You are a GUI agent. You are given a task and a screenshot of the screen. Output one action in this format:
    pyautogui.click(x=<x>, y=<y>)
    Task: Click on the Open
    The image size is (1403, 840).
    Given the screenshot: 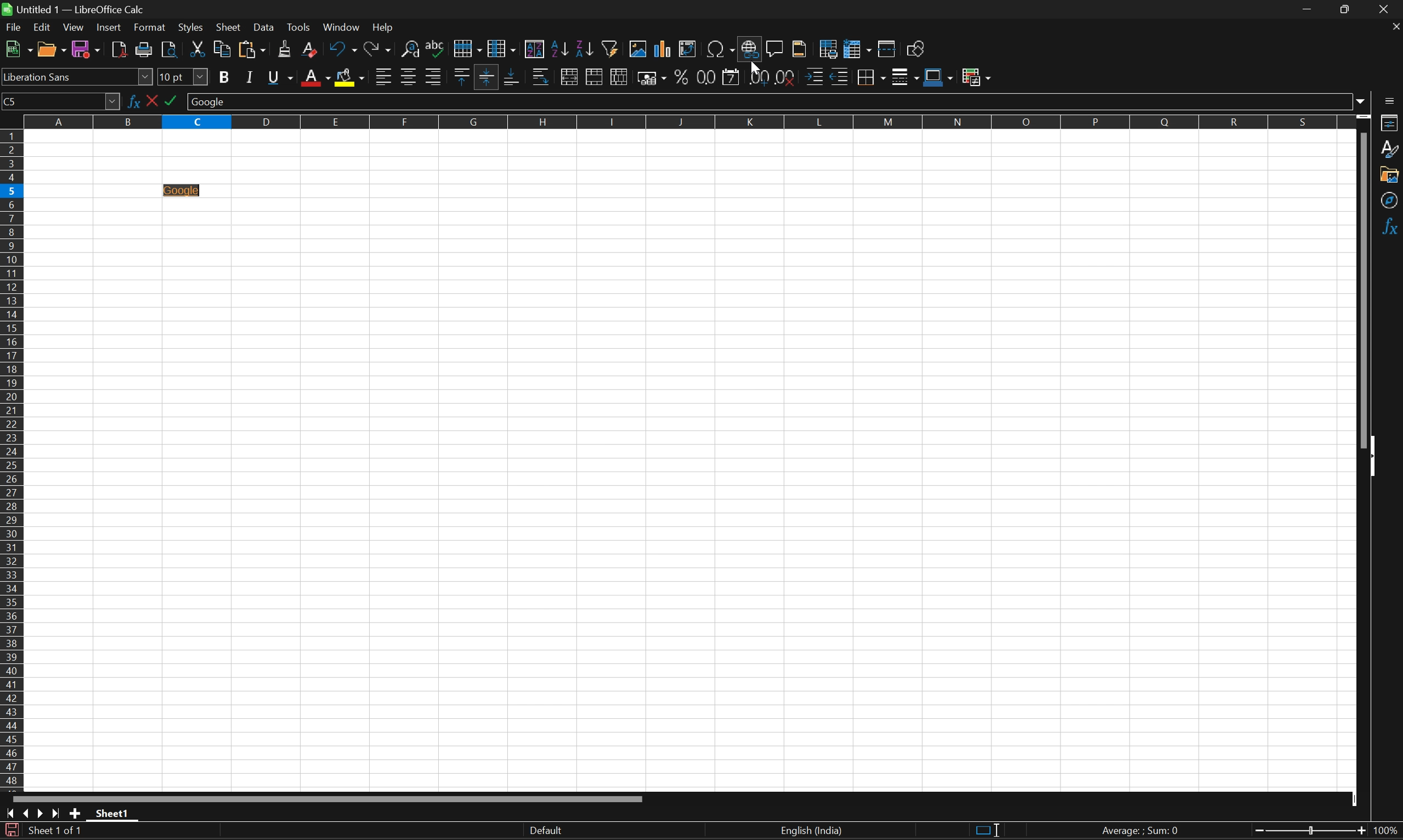 What is the action you would take?
    pyautogui.click(x=52, y=49)
    